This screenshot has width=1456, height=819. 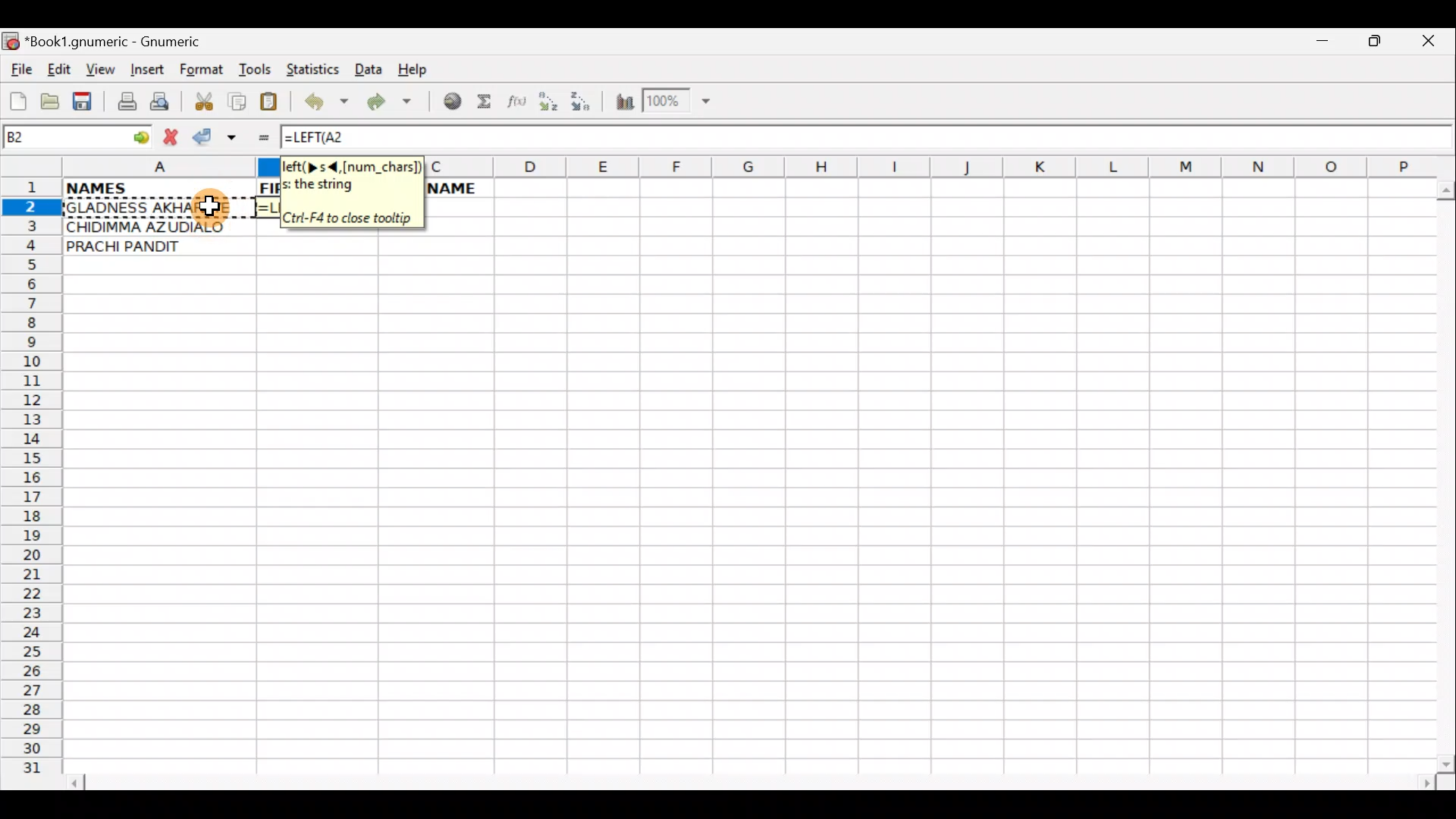 I want to click on Sort Ascending order, so click(x=553, y=105).